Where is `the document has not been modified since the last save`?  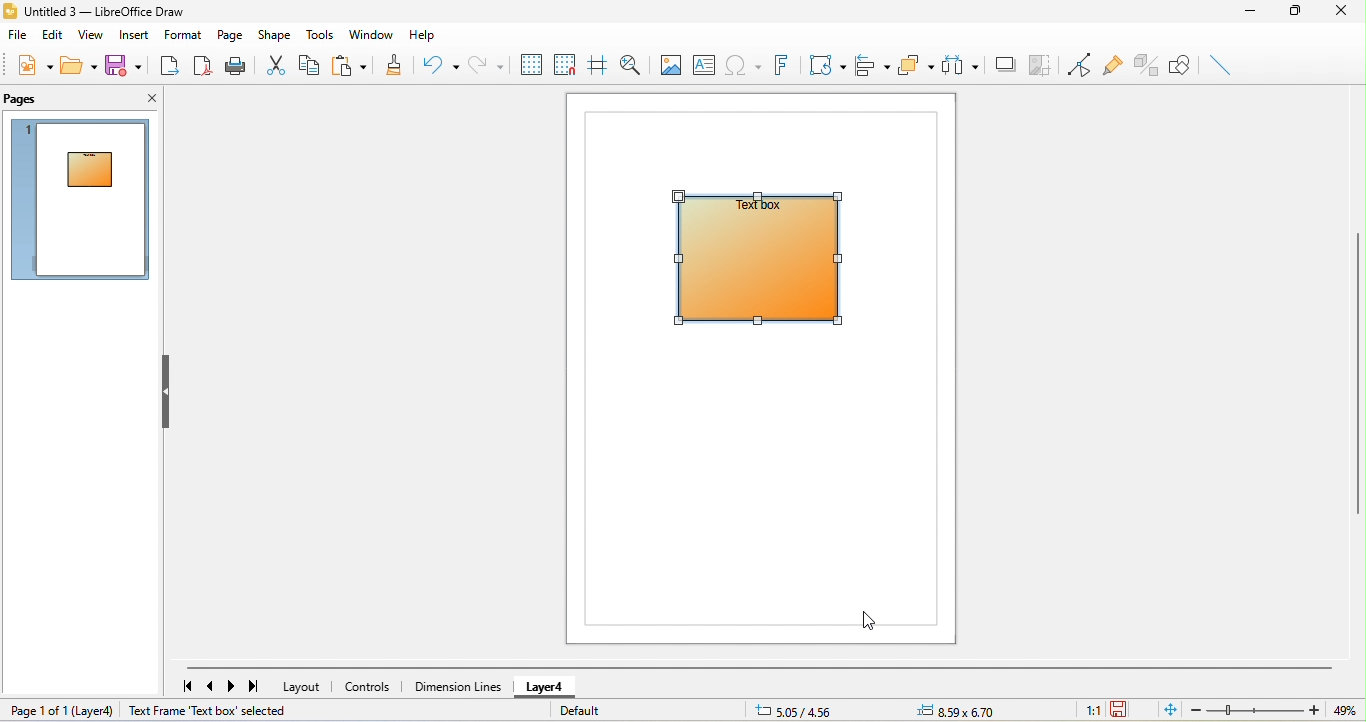 the document has not been modified since the last save is located at coordinates (1130, 711).